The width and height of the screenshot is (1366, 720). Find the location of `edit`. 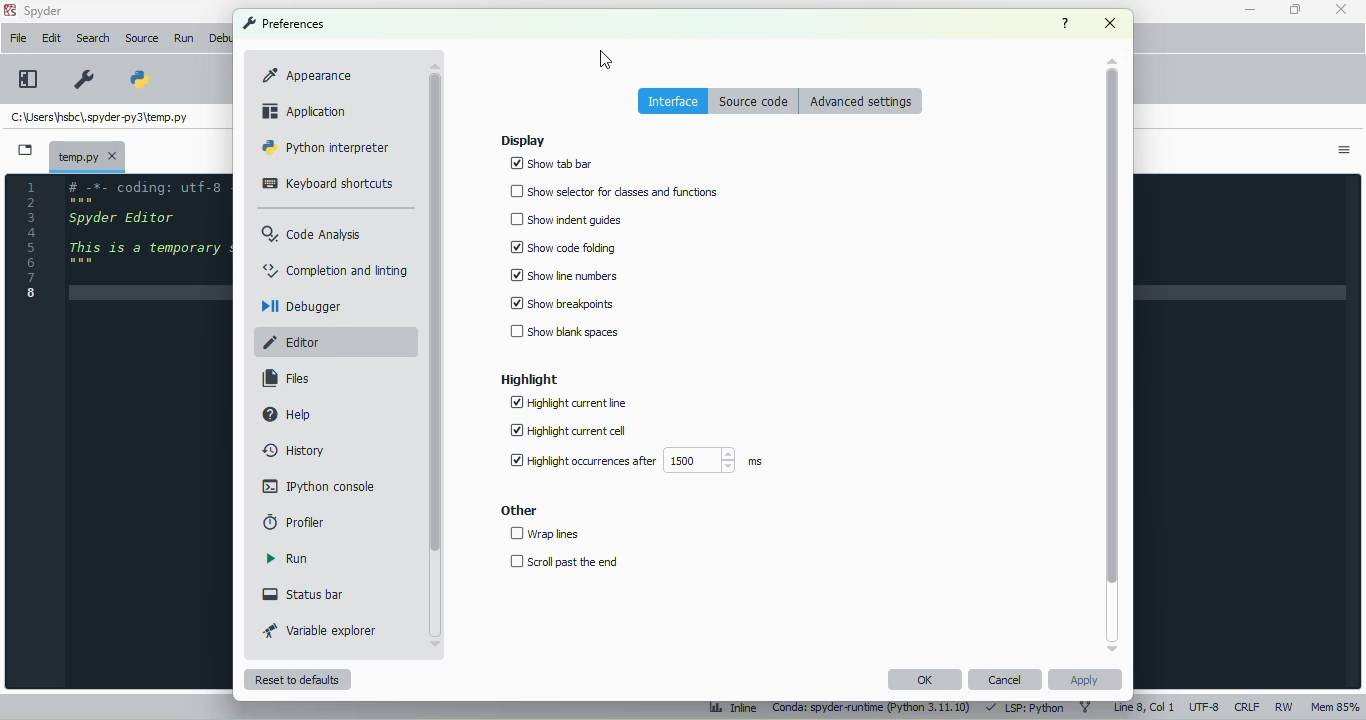

edit is located at coordinates (52, 38).